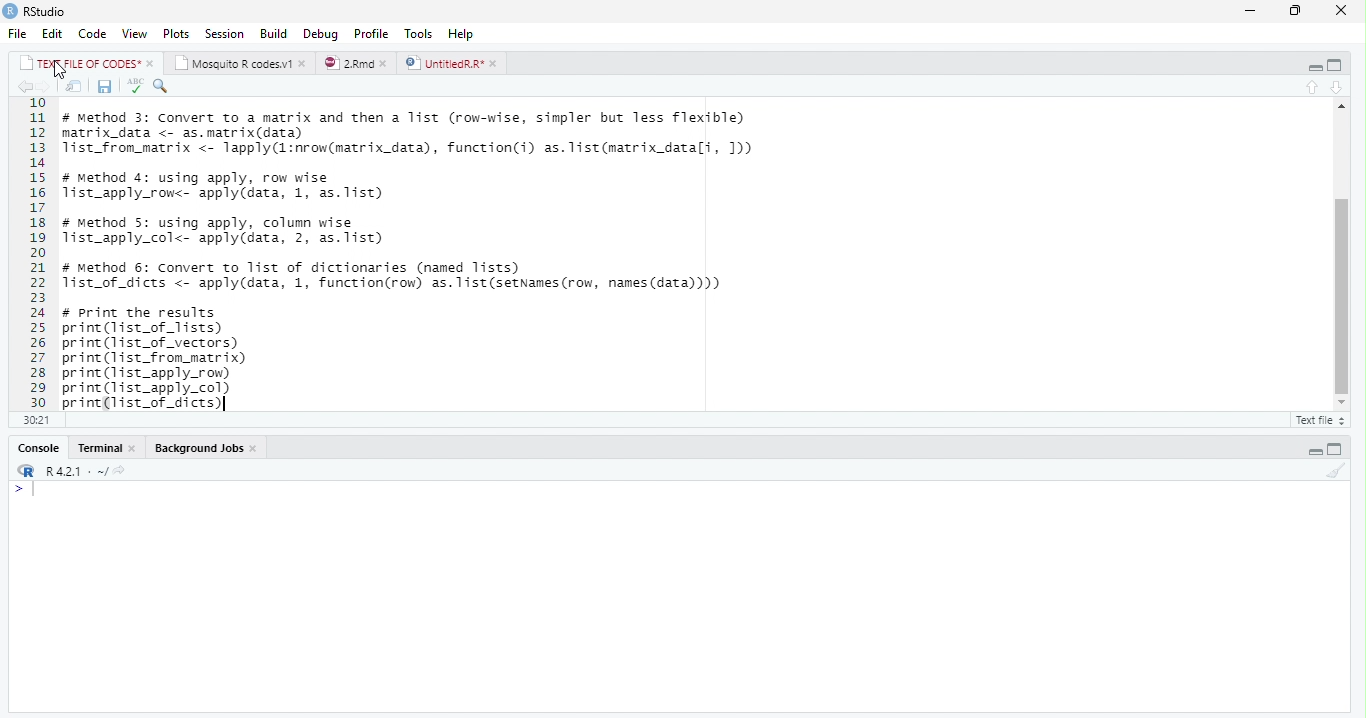 This screenshot has width=1366, height=718. What do you see at coordinates (34, 419) in the screenshot?
I see `1:1` at bounding box center [34, 419].